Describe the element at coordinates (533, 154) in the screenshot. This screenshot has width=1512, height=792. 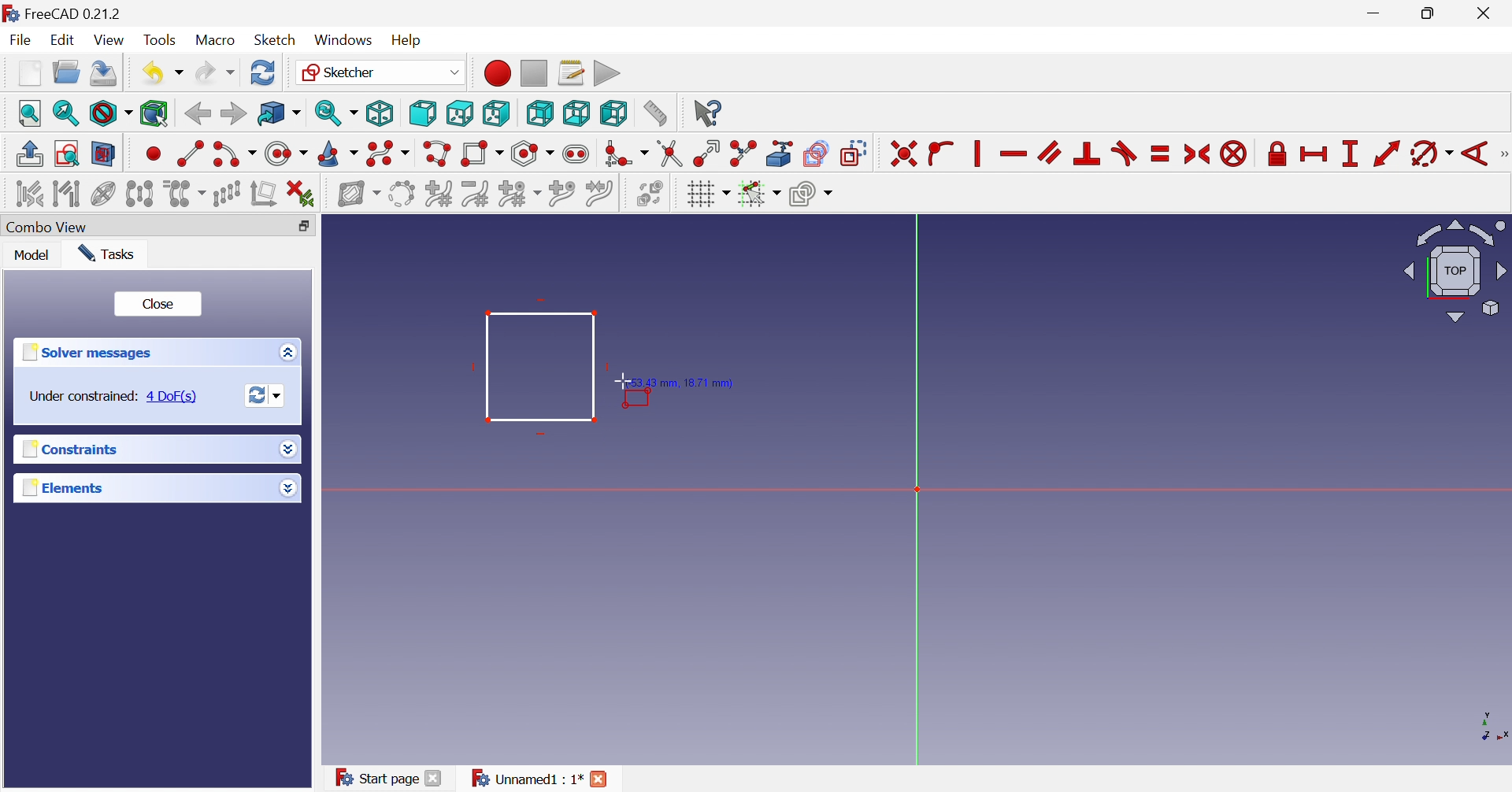
I see `Create regular polygon` at that location.